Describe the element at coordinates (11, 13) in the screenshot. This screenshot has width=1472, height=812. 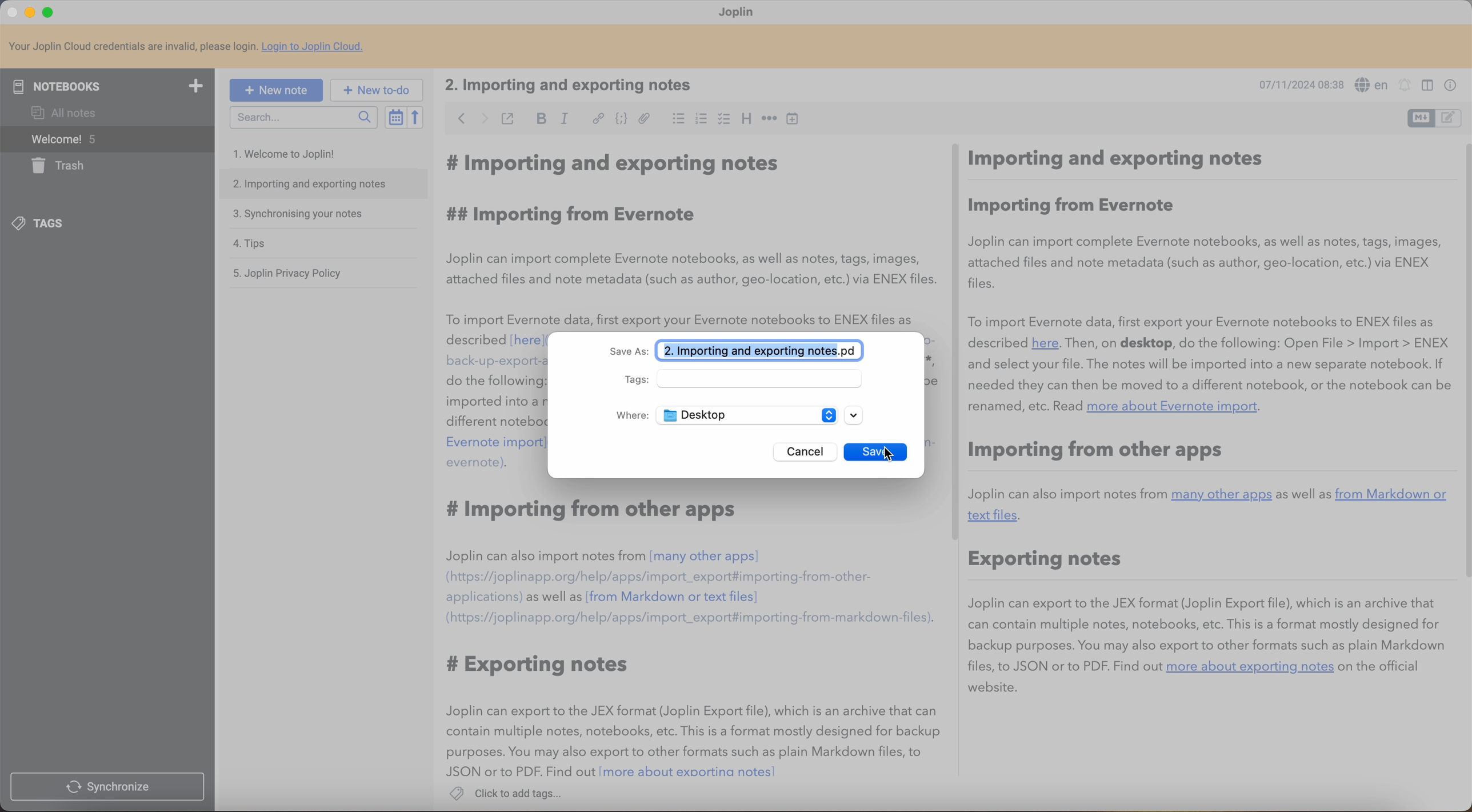
I see `close Joplin` at that location.